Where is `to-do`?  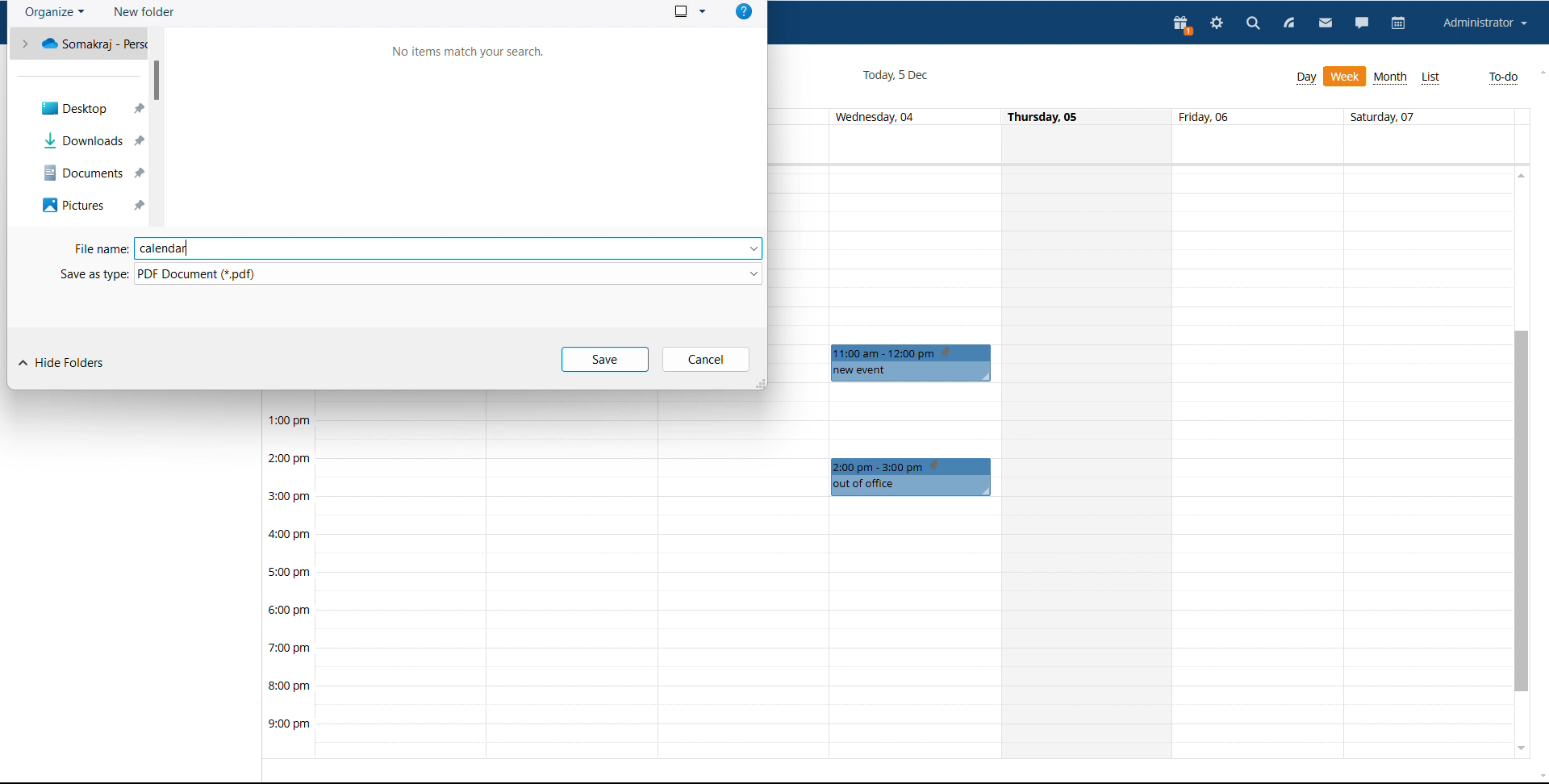
to-do is located at coordinates (1504, 78).